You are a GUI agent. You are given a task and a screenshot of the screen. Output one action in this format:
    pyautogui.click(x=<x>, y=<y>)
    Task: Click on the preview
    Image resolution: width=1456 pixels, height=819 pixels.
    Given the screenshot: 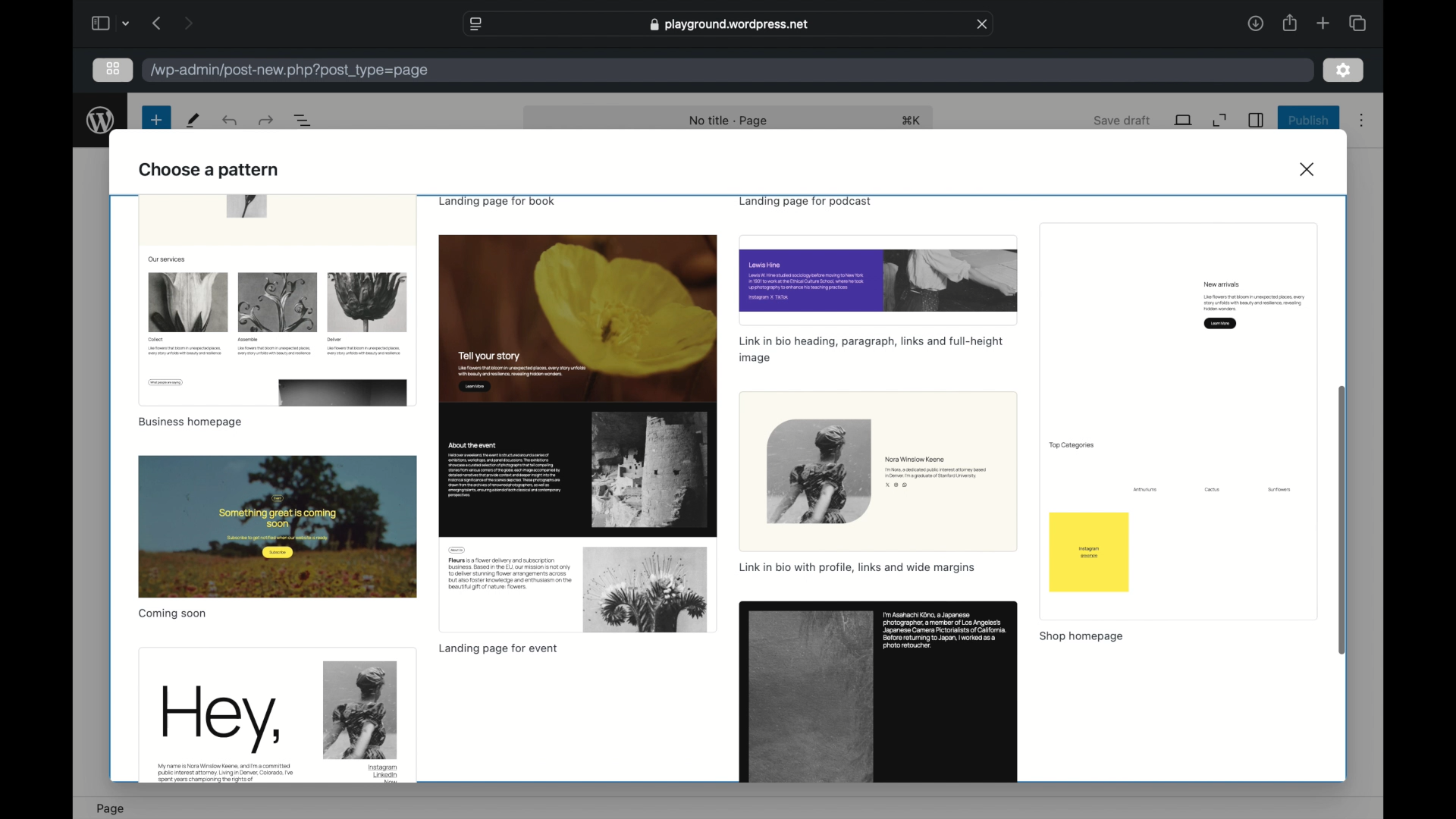 What is the action you would take?
    pyautogui.click(x=879, y=693)
    